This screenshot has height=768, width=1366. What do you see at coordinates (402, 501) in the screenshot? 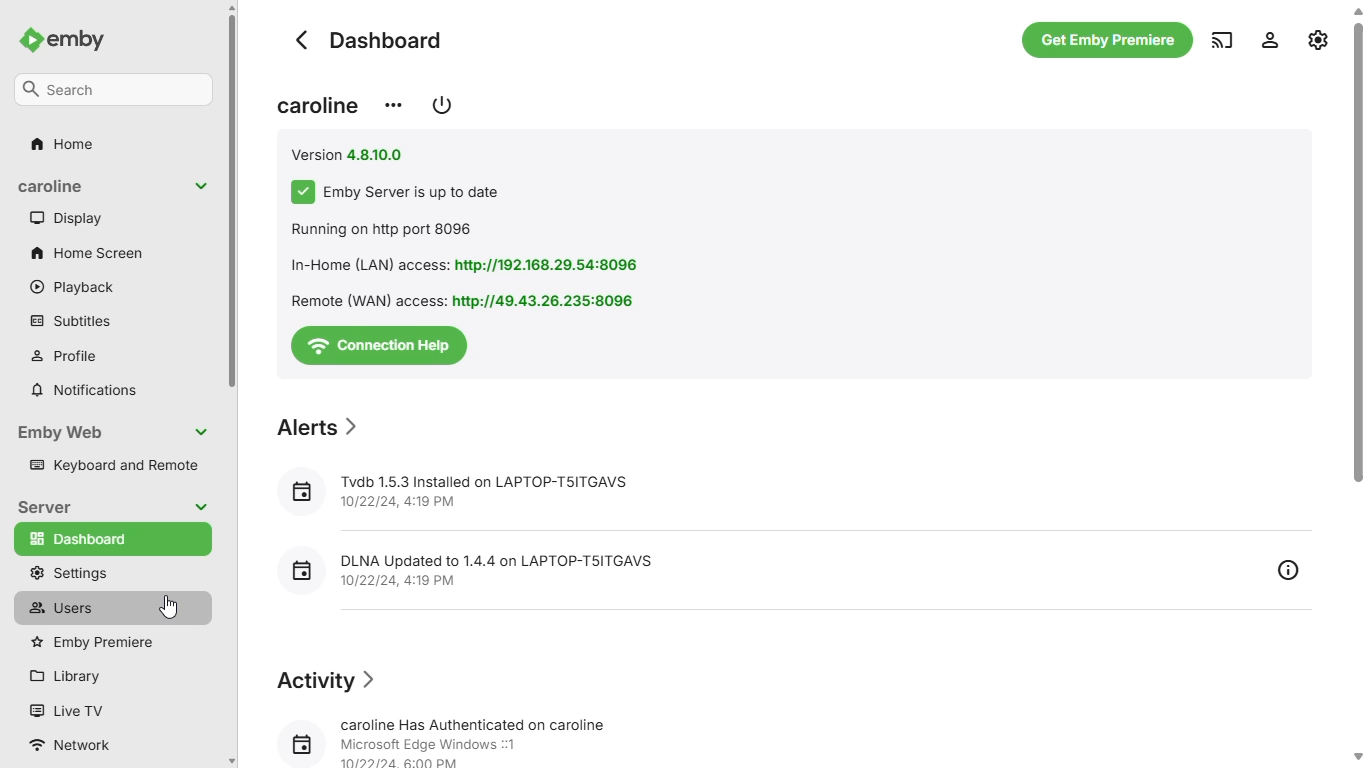
I see `10/22/24, 4:19 PM` at bounding box center [402, 501].